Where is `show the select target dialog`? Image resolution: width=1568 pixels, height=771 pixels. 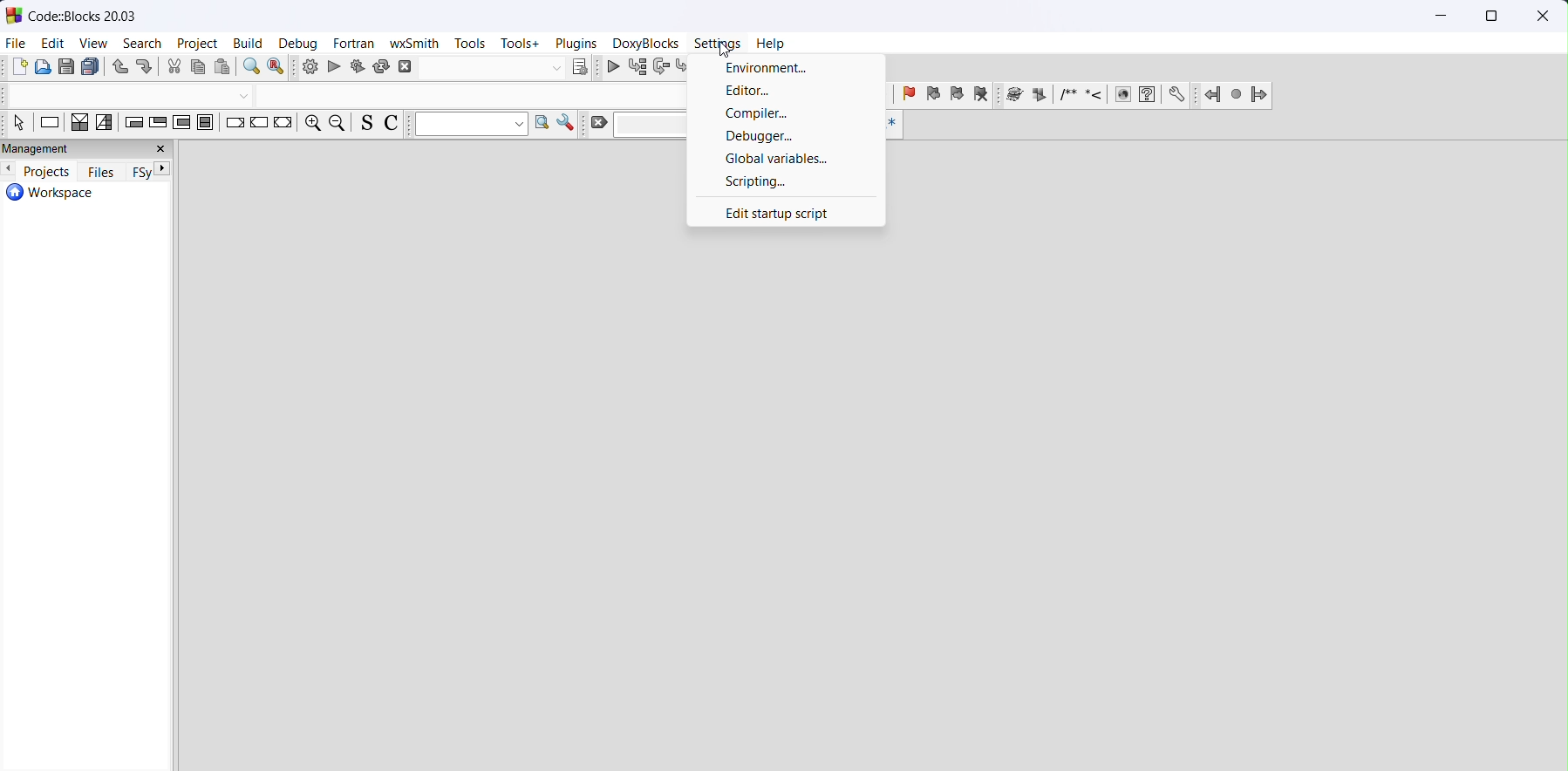
show the select target dialog is located at coordinates (579, 68).